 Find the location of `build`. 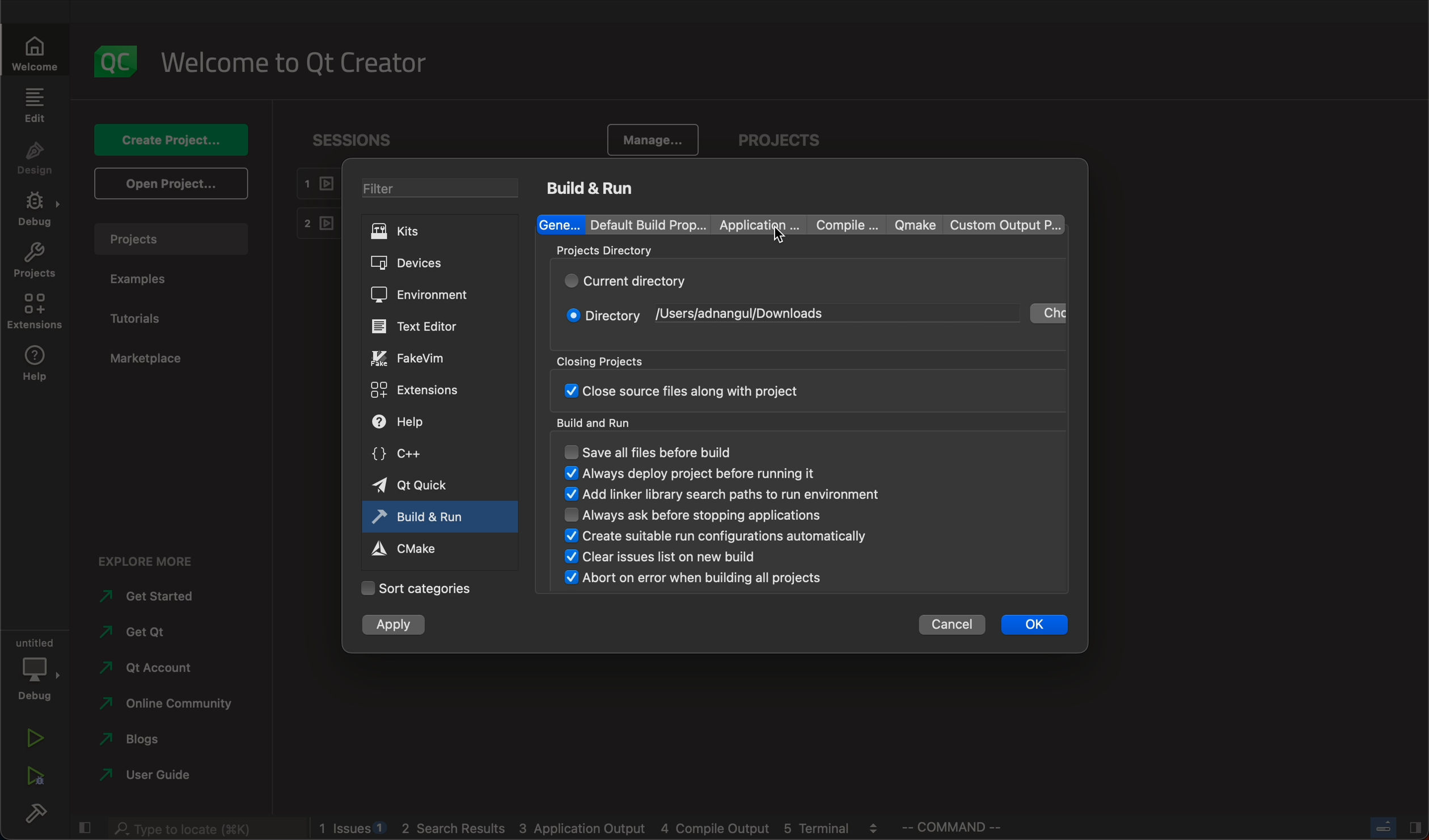

build is located at coordinates (39, 816).